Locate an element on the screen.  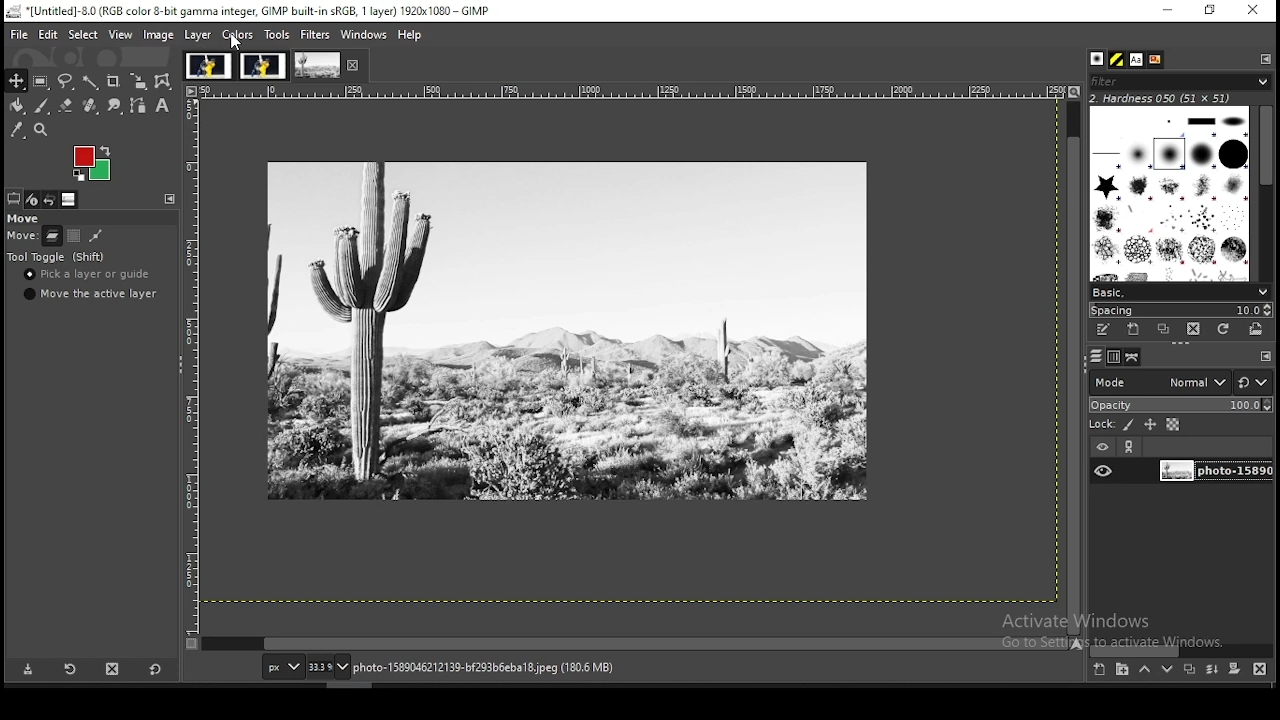
scroll bar is located at coordinates (1266, 191).